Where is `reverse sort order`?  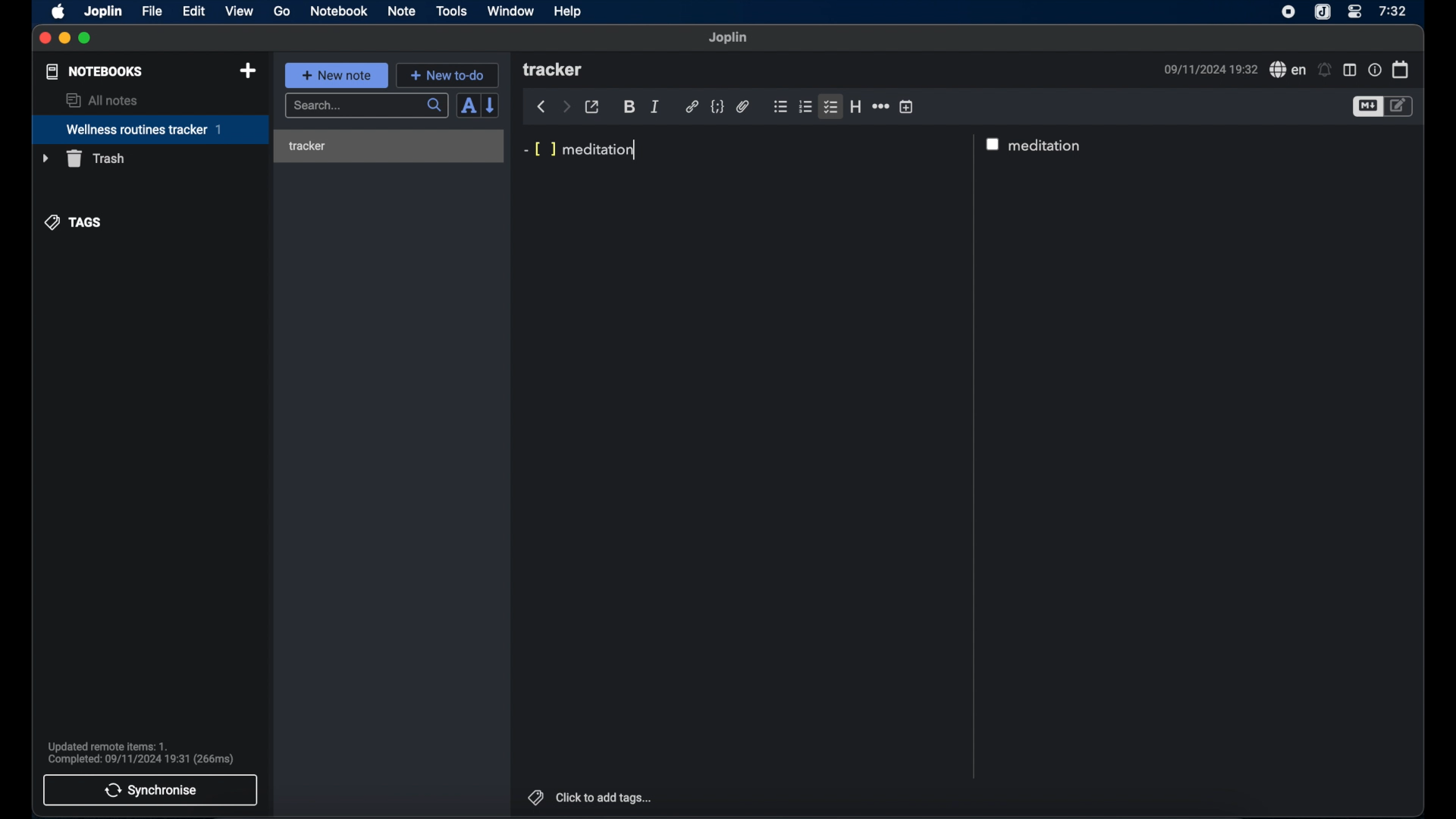 reverse sort order is located at coordinates (491, 105).